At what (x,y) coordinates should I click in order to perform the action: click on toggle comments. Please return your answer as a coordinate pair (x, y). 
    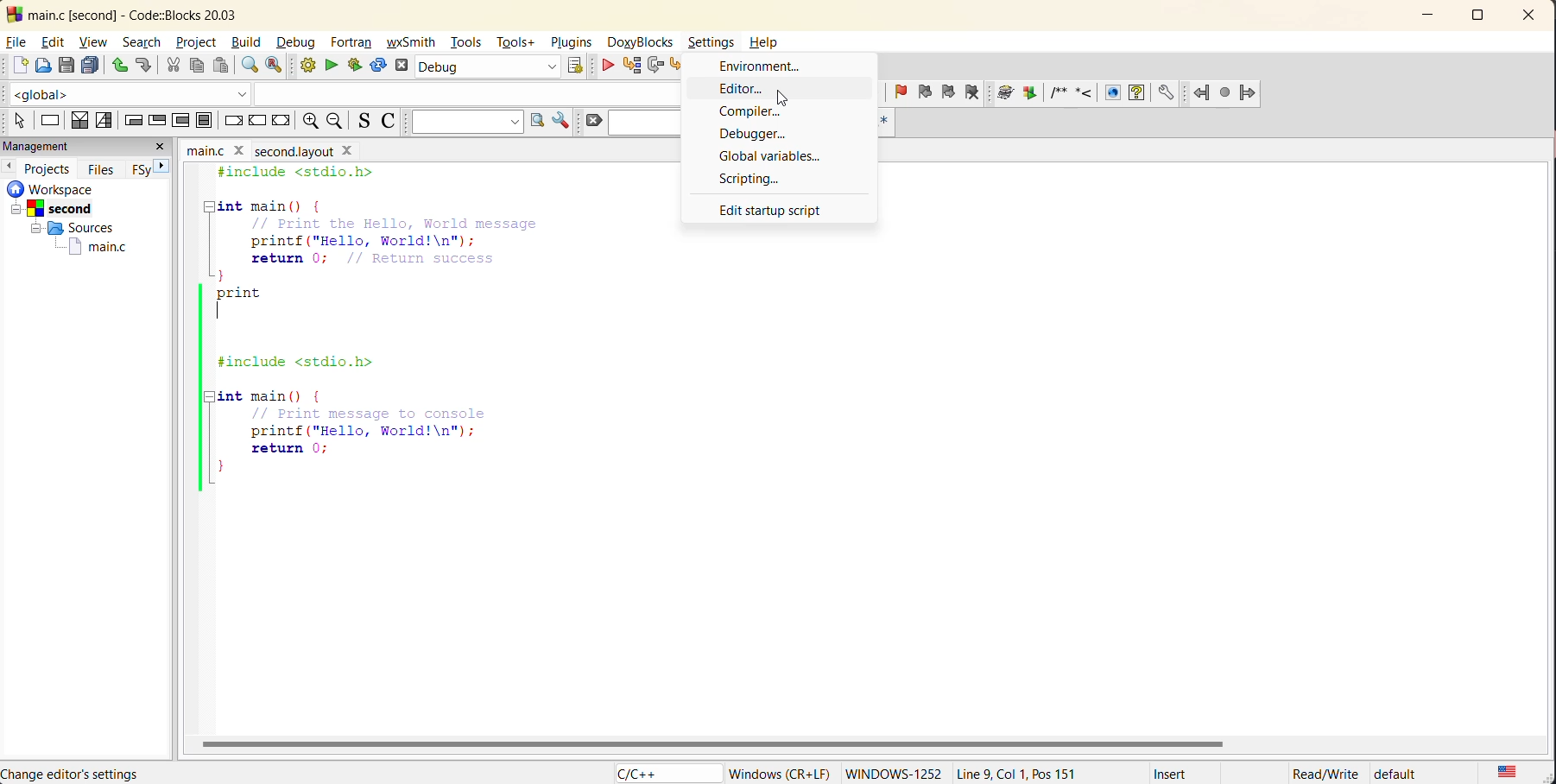
    Looking at the image, I should click on (391, 123).